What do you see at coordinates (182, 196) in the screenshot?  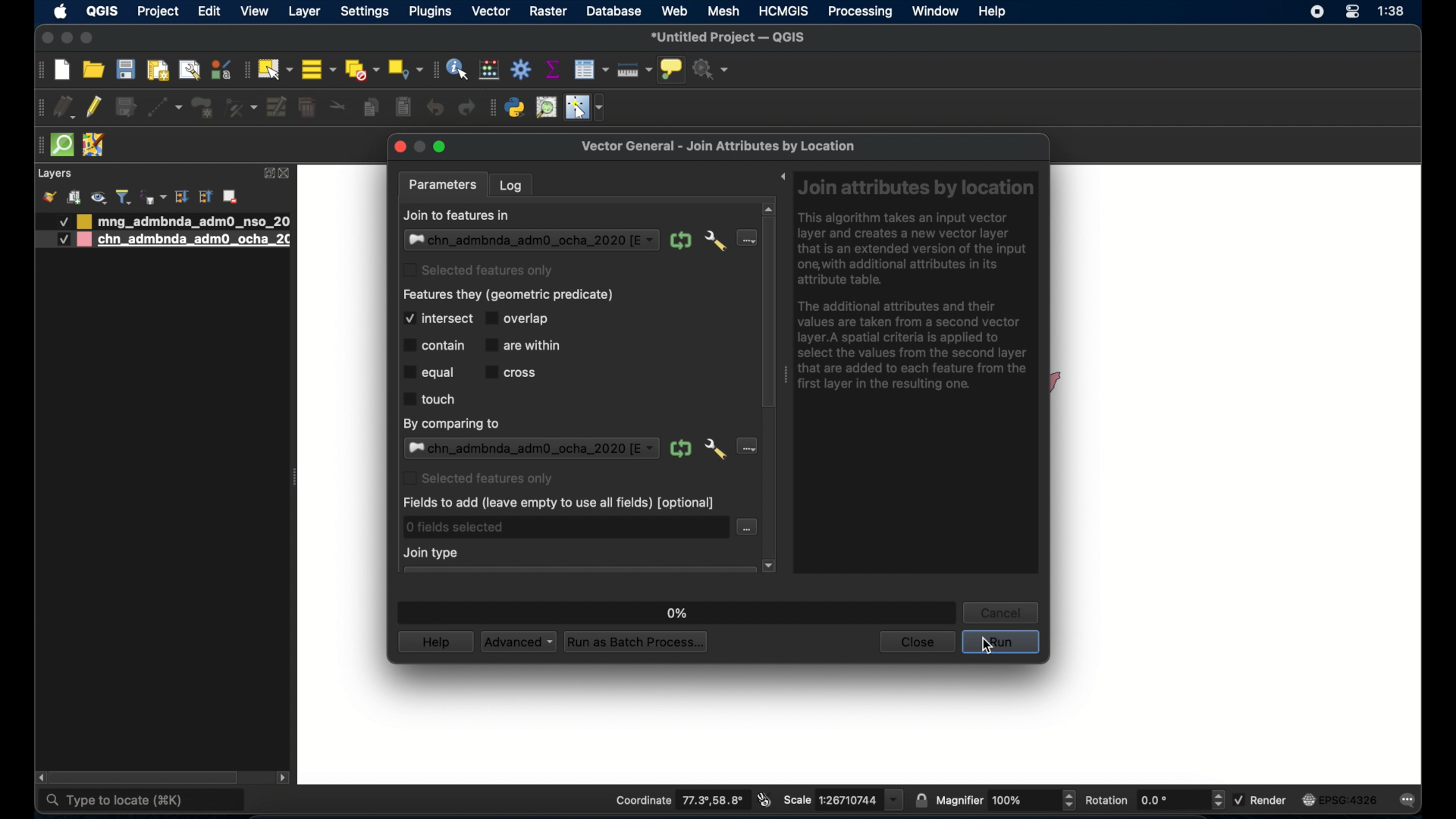 I see `expand` at bounding box center [182, 196].